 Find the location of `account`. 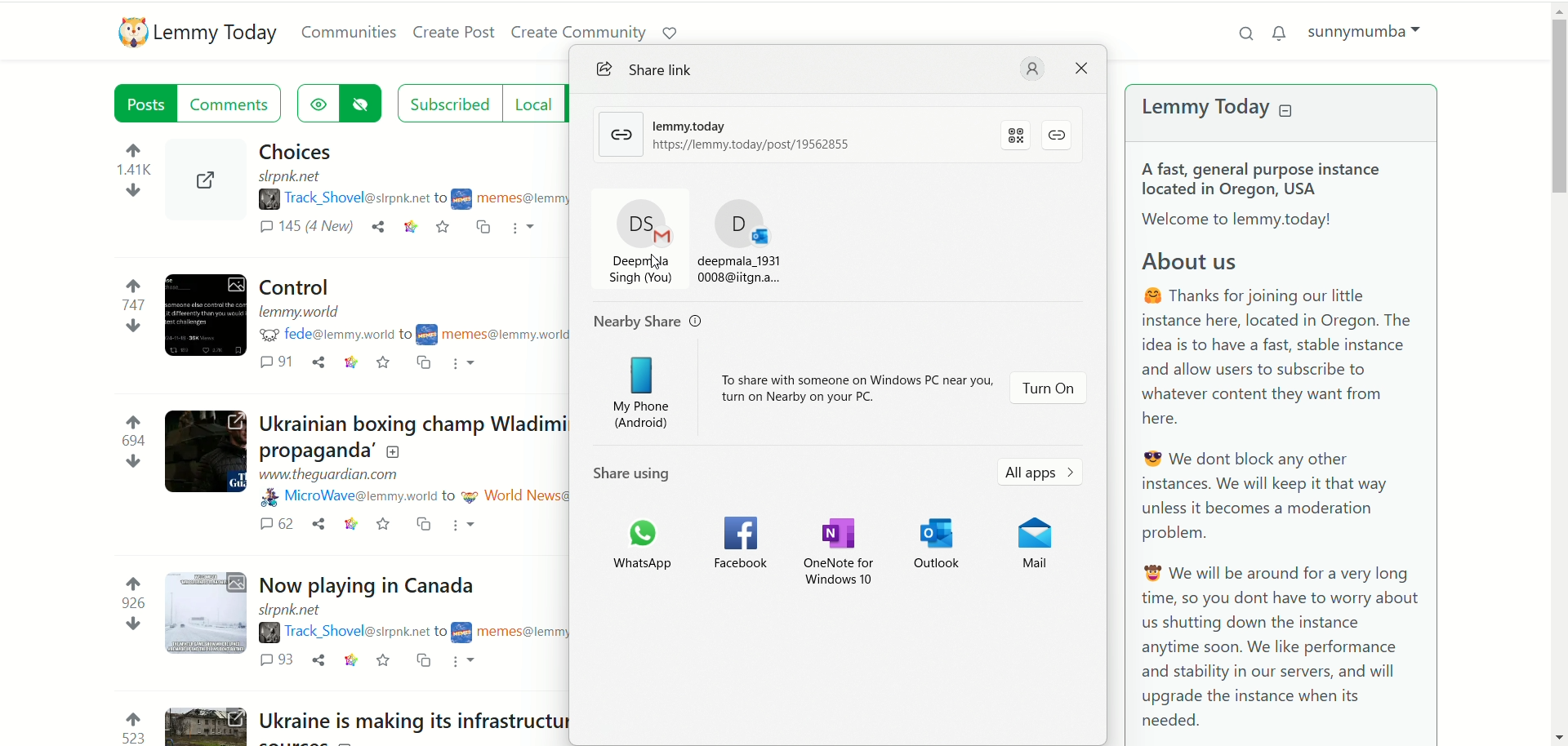

account is located at coordinates (1032, 69).